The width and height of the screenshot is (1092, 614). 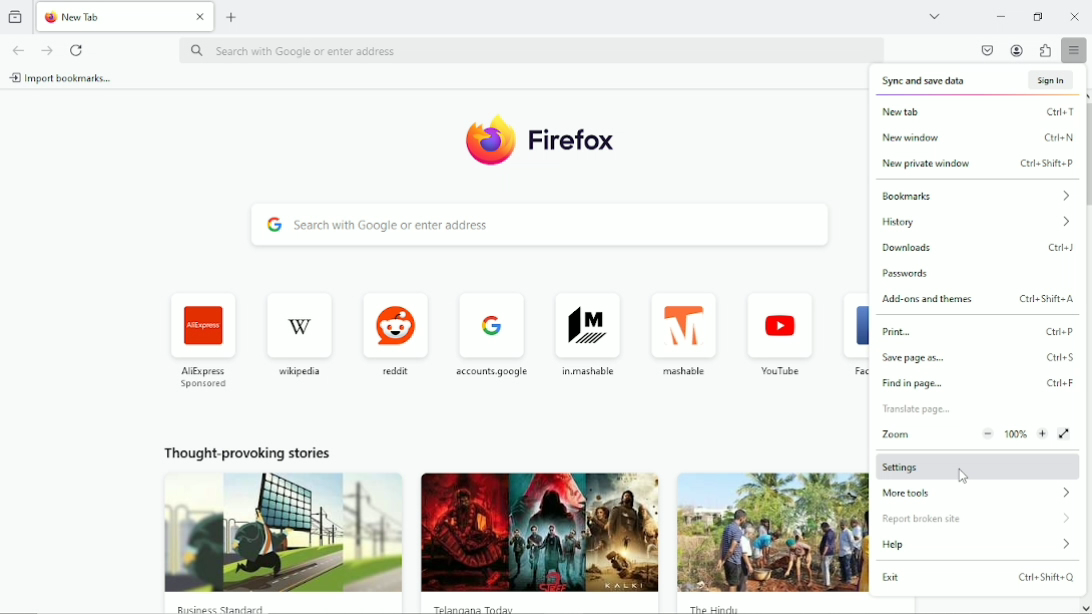 What do you see at coordinates (539, 532) in the screenshot?
I see `Thought provoking stories` at bounding box center [539, 532].